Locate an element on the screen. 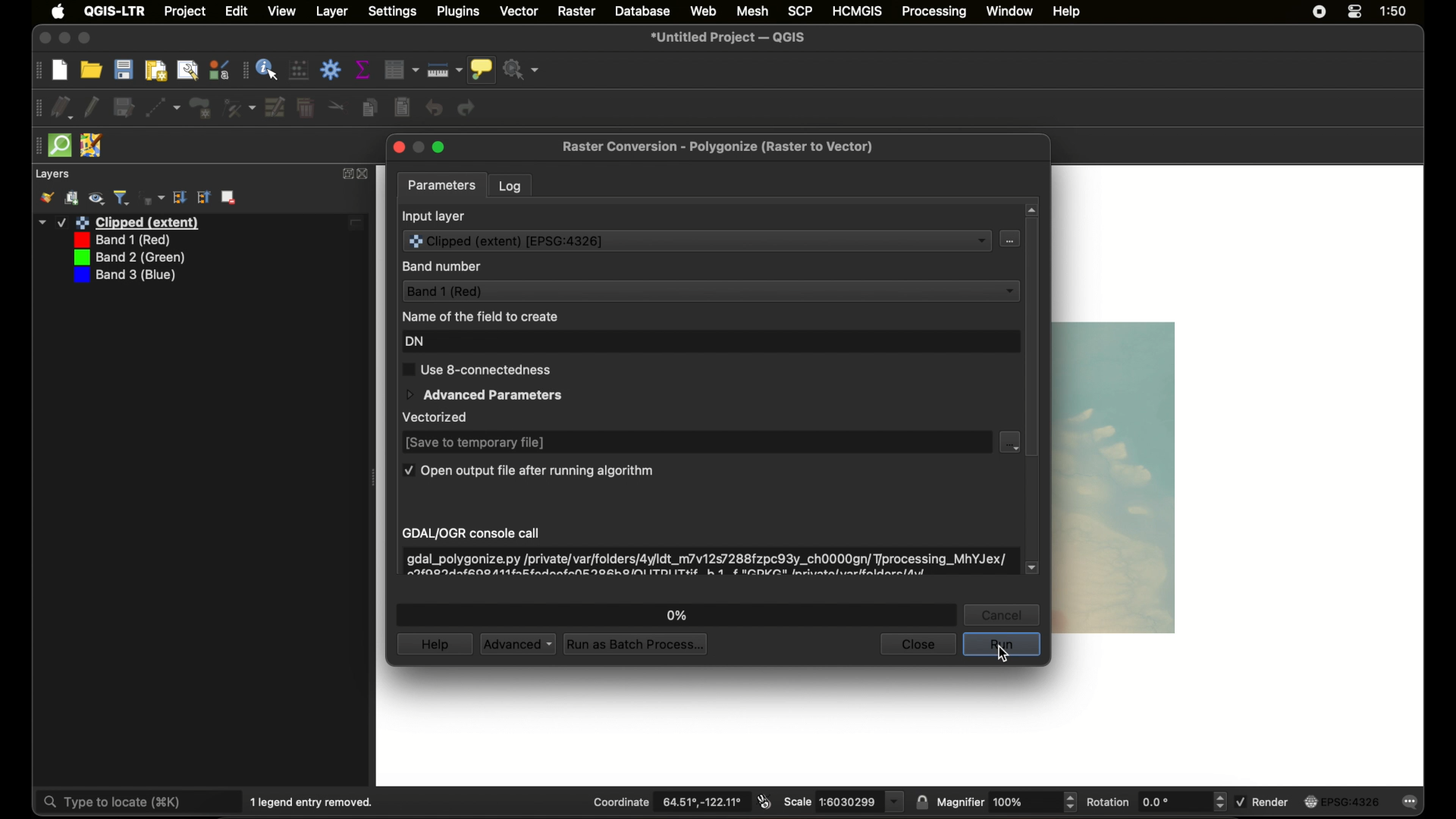 This screenshot has width=1456, height=819. window is located at coordinates (1009, 11).